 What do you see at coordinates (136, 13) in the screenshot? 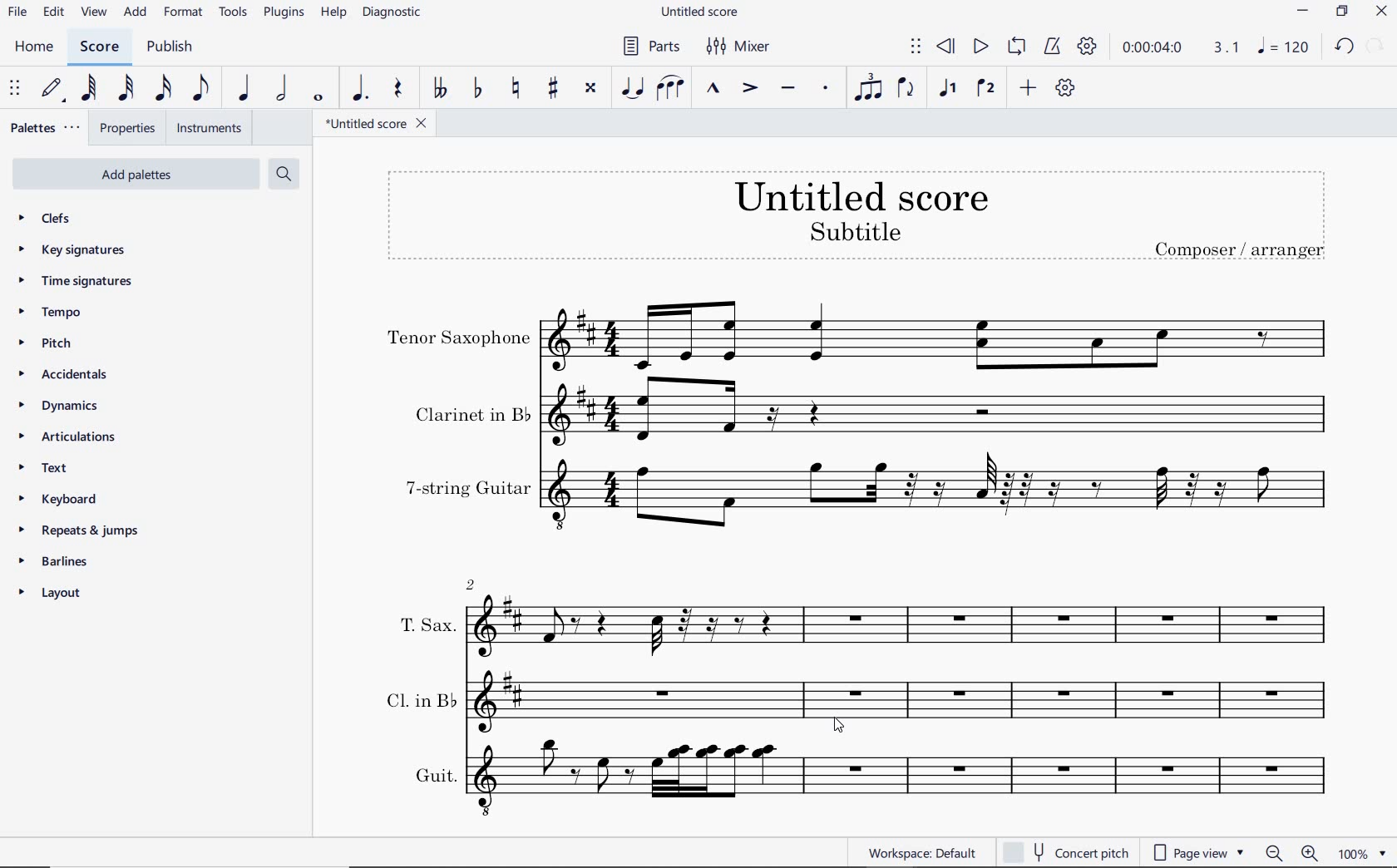
I see `ADD` at bounding box center [136, 13].